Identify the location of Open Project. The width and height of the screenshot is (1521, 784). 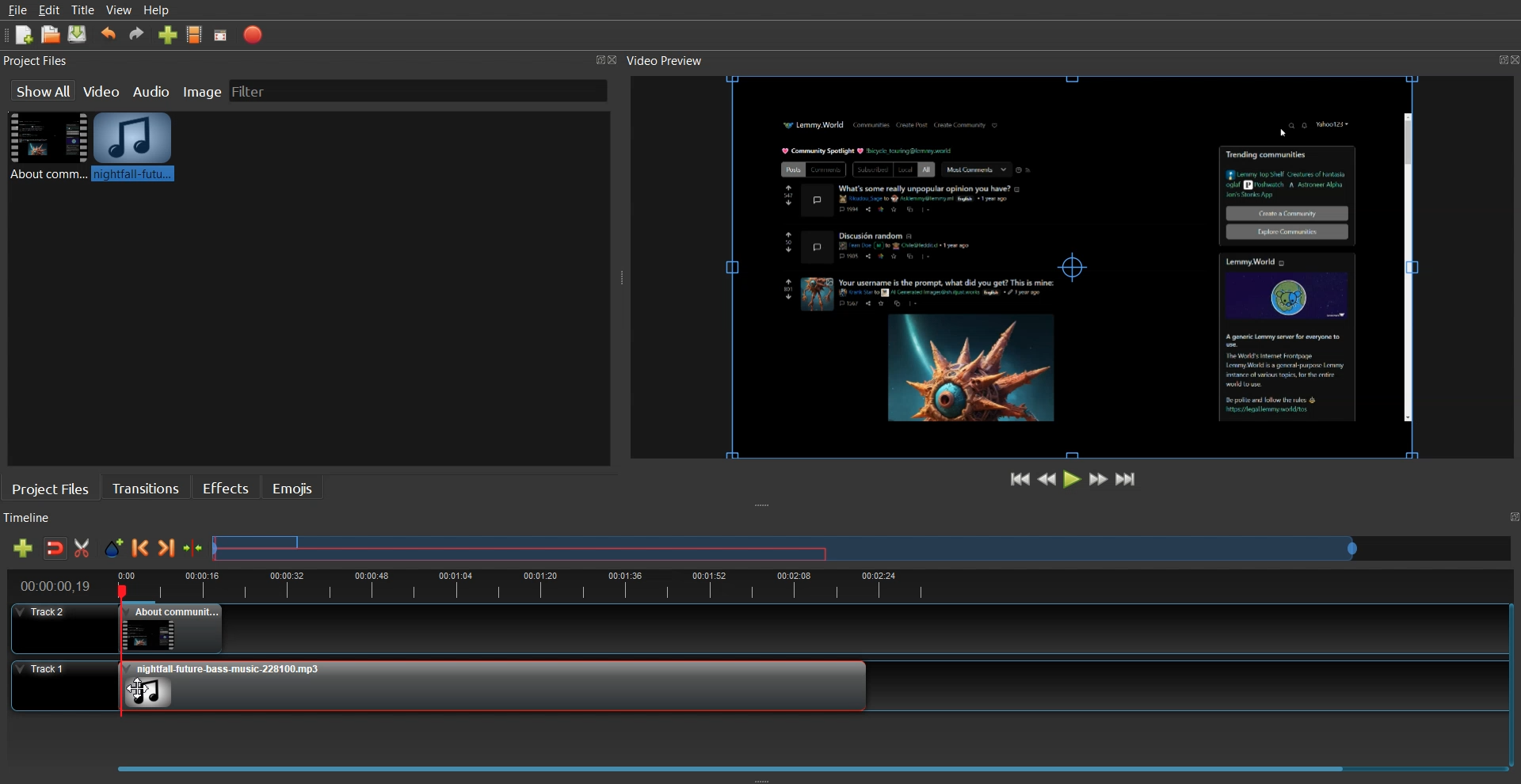
(51, 34).